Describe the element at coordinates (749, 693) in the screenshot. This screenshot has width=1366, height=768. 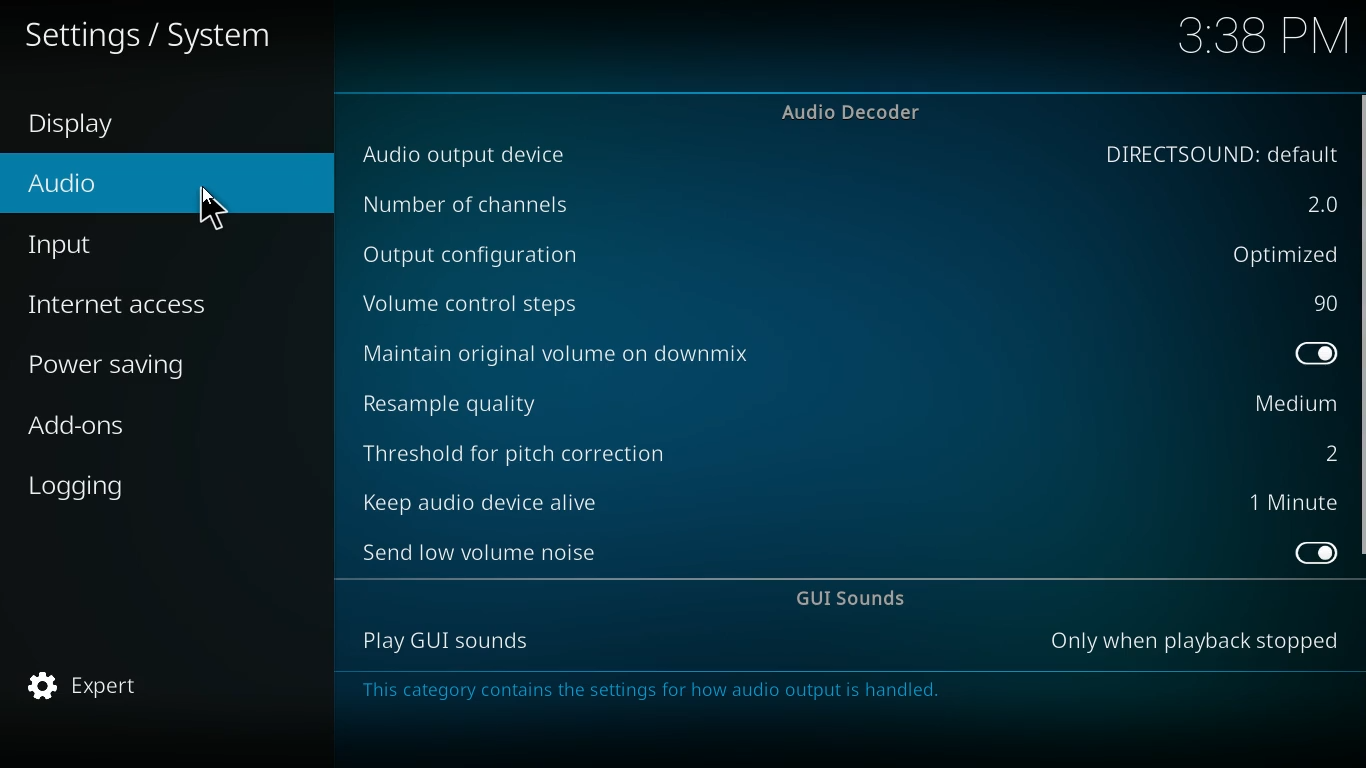
I see `this category contains the setting for how audio output is handled` at that location.